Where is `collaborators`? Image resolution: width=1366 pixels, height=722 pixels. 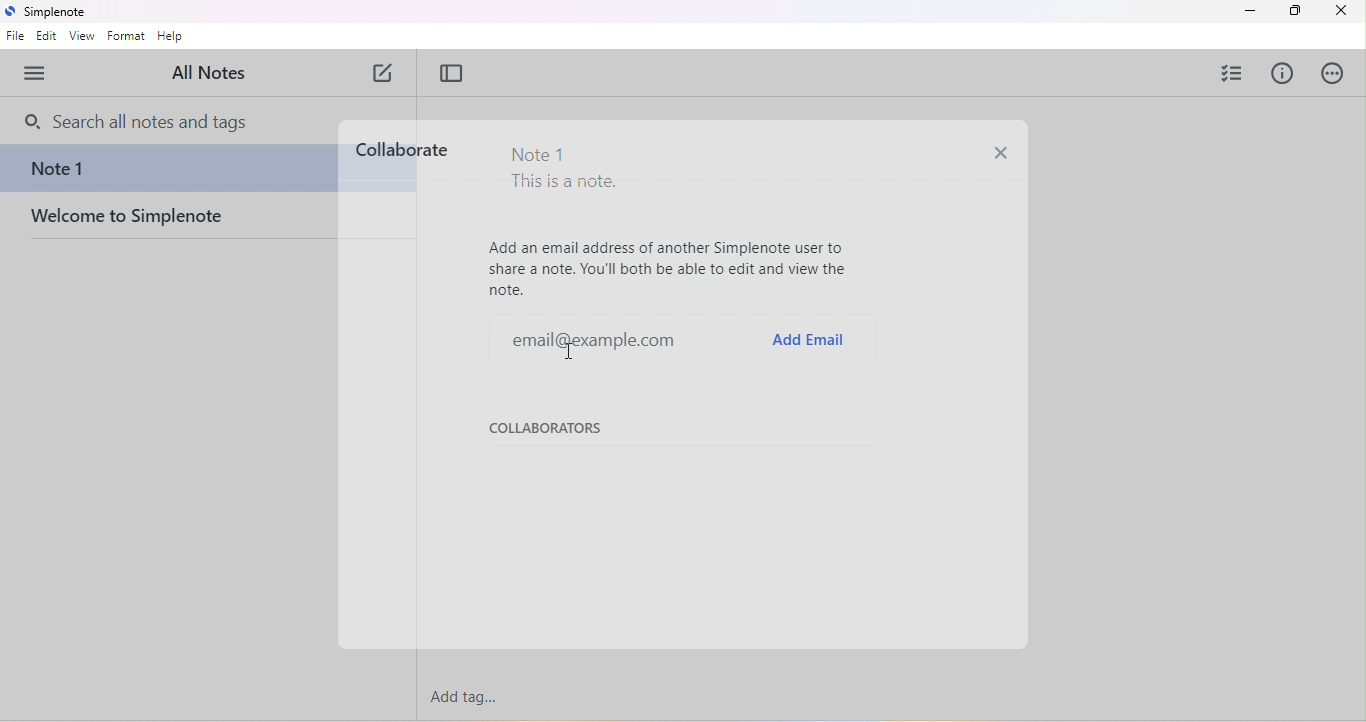 collaborators is located at coordinates (552, 431).